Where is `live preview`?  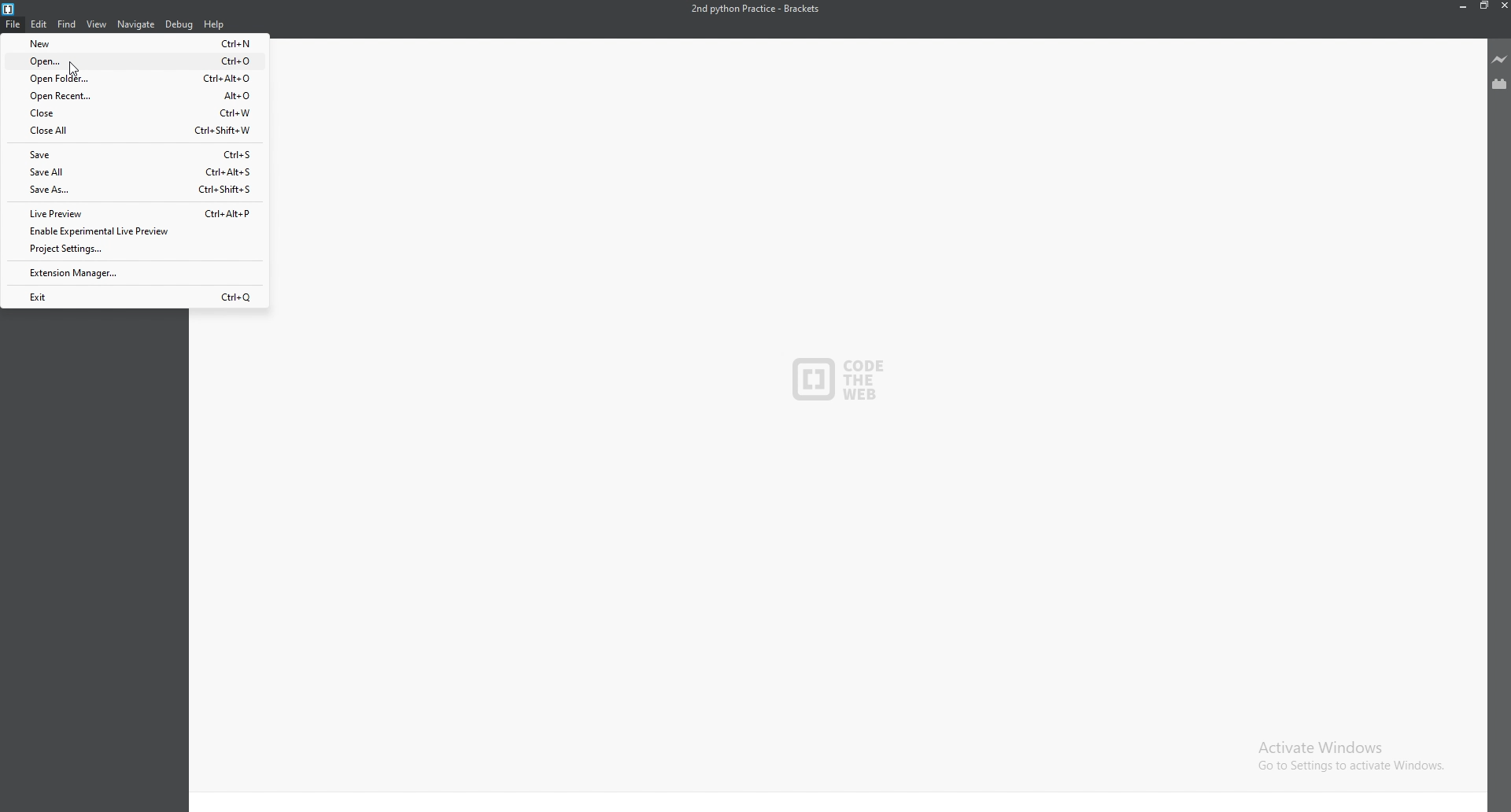 live preview is located at coordinates (1498, 58).